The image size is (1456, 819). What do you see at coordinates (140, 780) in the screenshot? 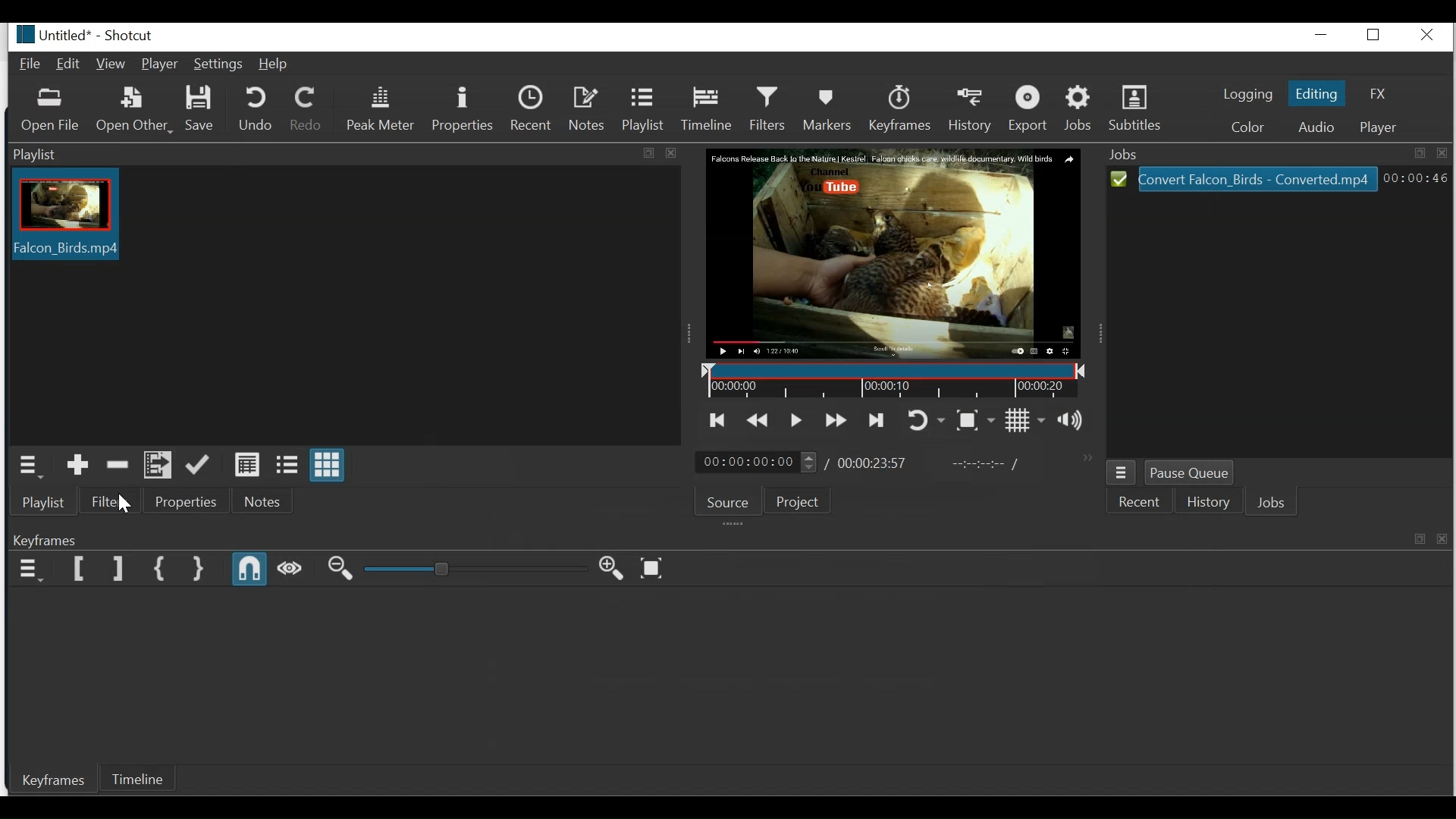
I see `Timeline` at bounding box center [140, 780].